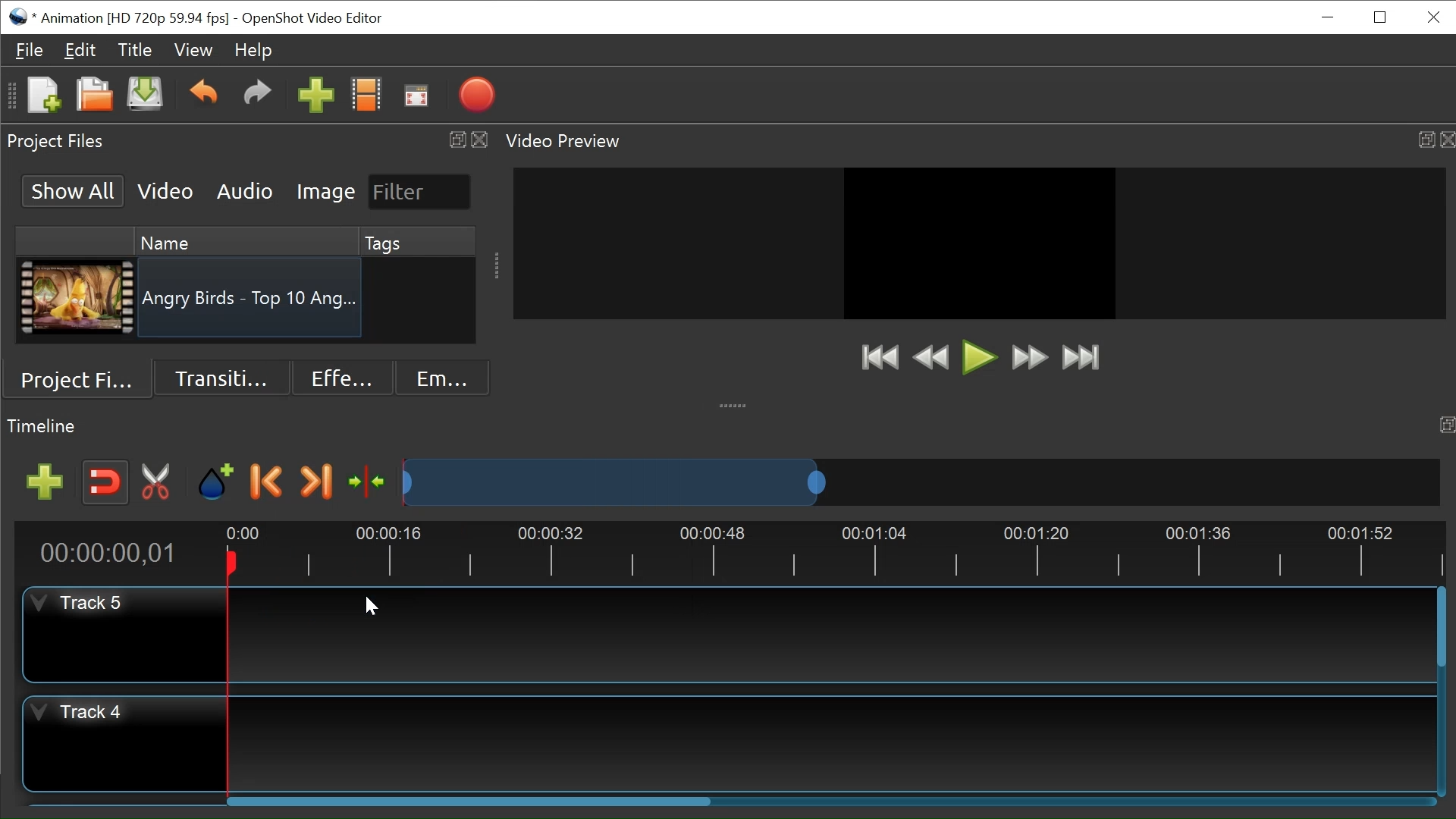  Describe the element at coordinates (95, 96) in the screenshot. I see `Open Project` at that location.